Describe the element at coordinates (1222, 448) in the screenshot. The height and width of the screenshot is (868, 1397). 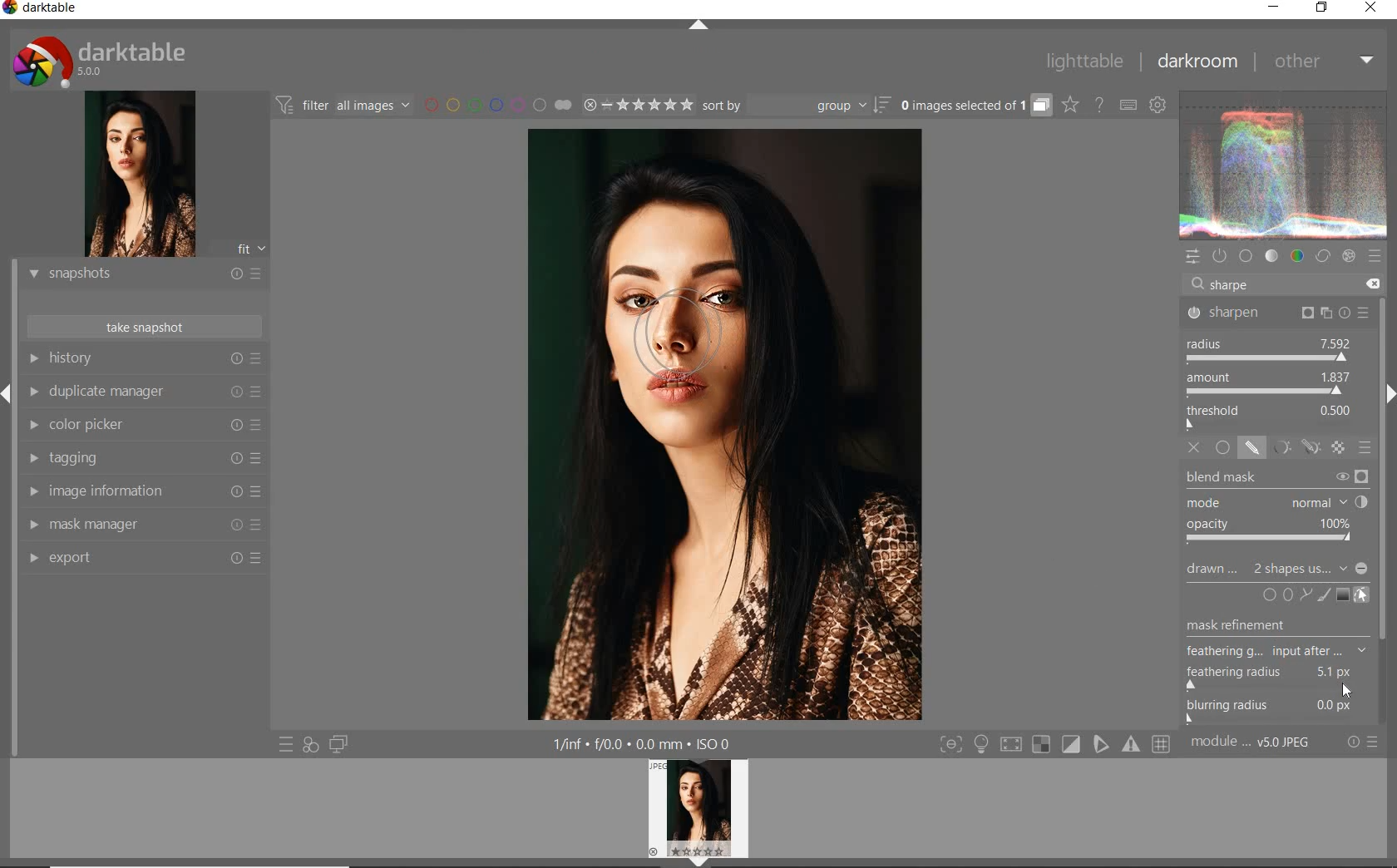
I see `UNIFORMLY` at that location.